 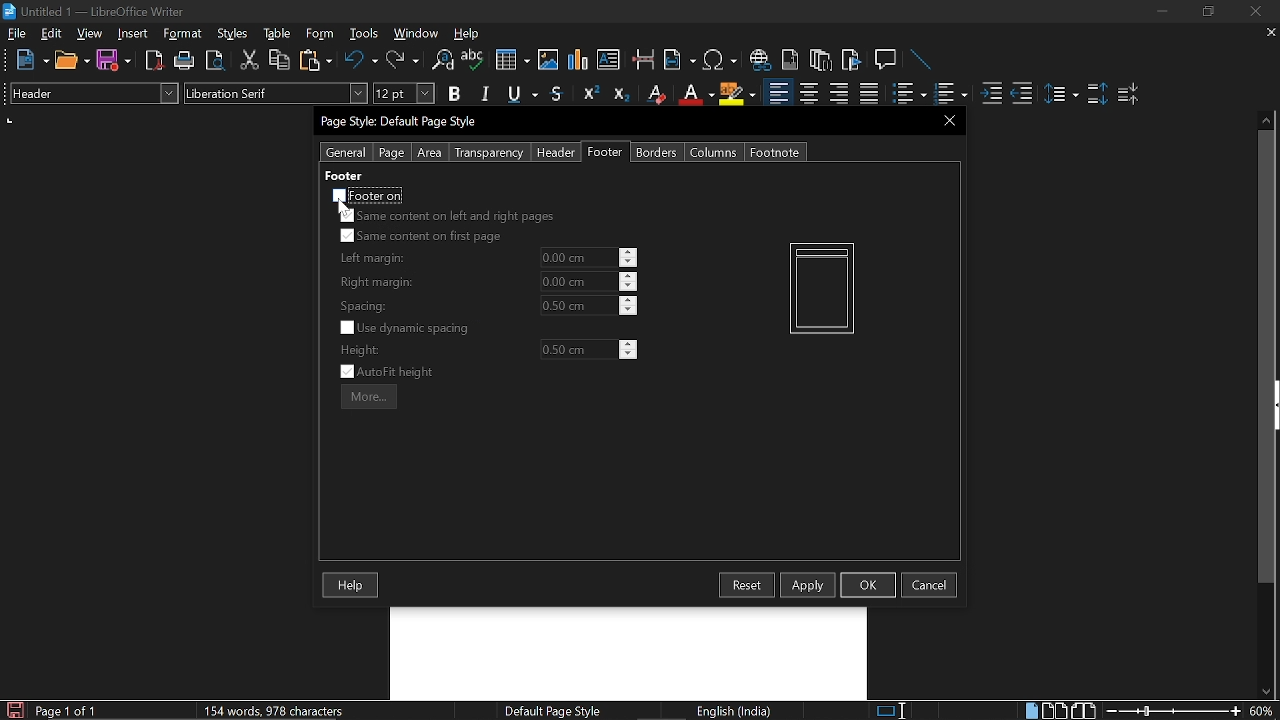 What do you see at coordinates (947, 120) in the screenshot?
I see `CLose` at bounding box center [947, 120].